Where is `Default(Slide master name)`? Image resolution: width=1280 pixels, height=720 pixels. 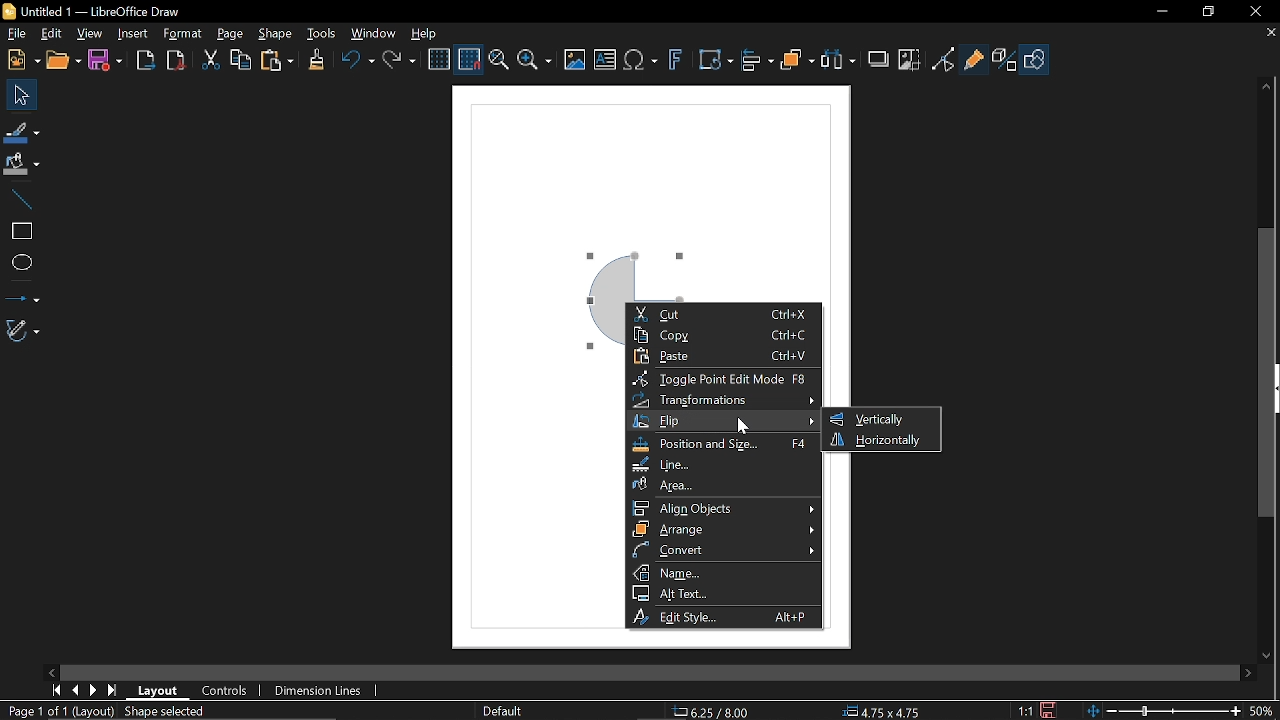 Default(Slide master name) is located at coordinates (506, 711).